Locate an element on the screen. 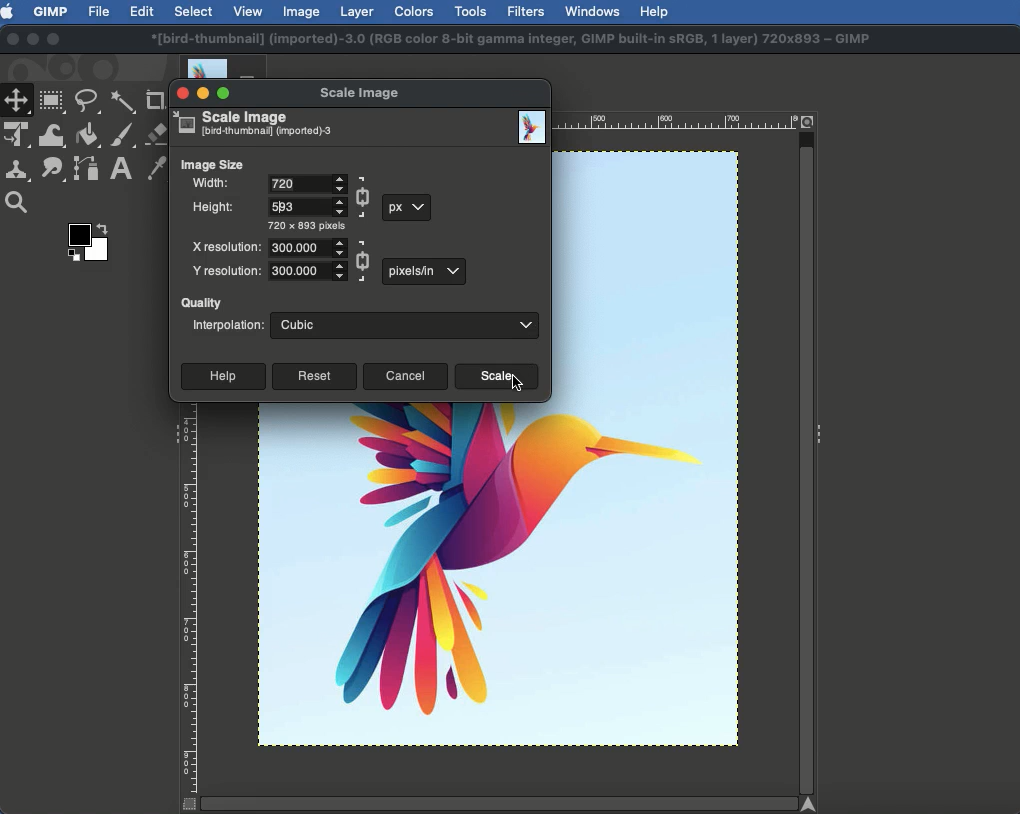 This screenshot has width=1020, height=814. Scroll is located at coordinates (499, 804).